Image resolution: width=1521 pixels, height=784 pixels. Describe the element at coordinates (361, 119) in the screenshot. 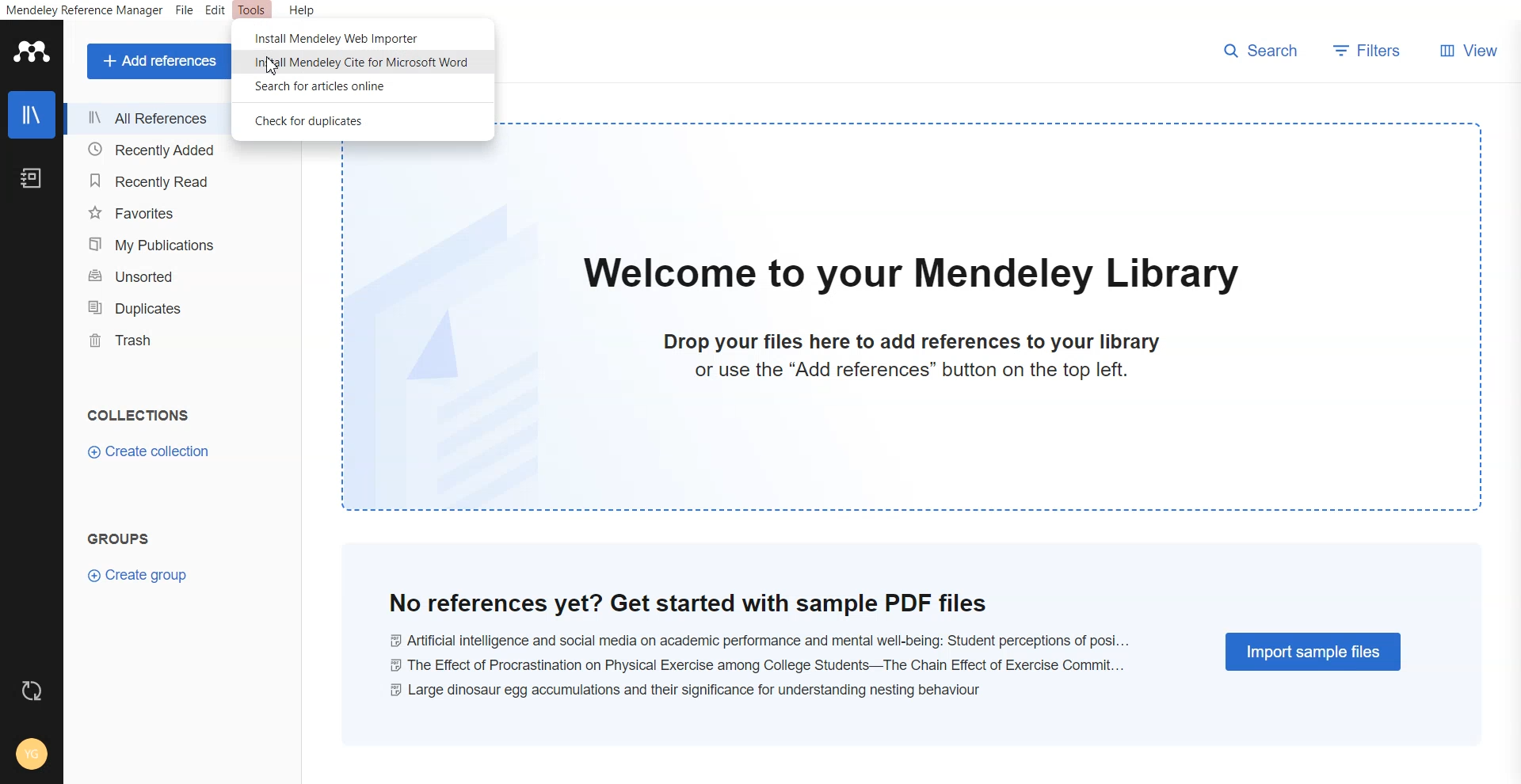

I see `Check for duplicate` at that location.